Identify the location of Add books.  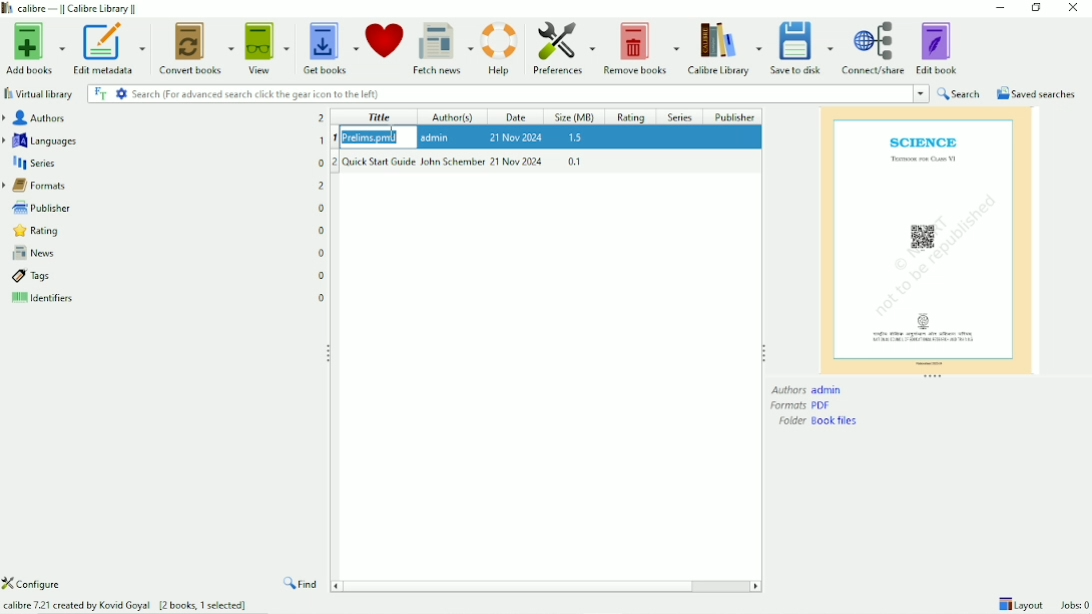
(34, 47).